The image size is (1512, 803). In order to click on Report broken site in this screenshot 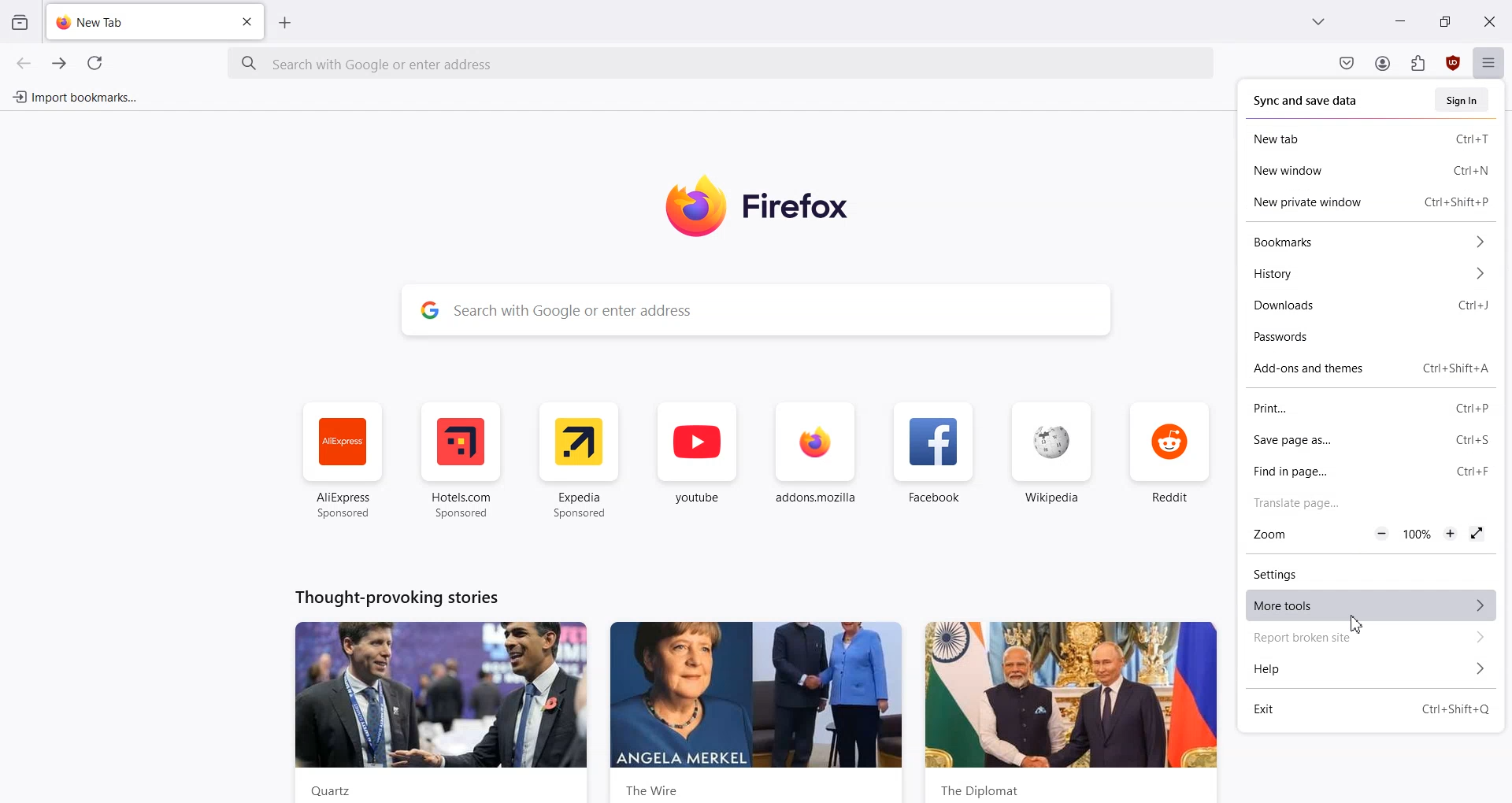, I will do `click(1366, 638)`.